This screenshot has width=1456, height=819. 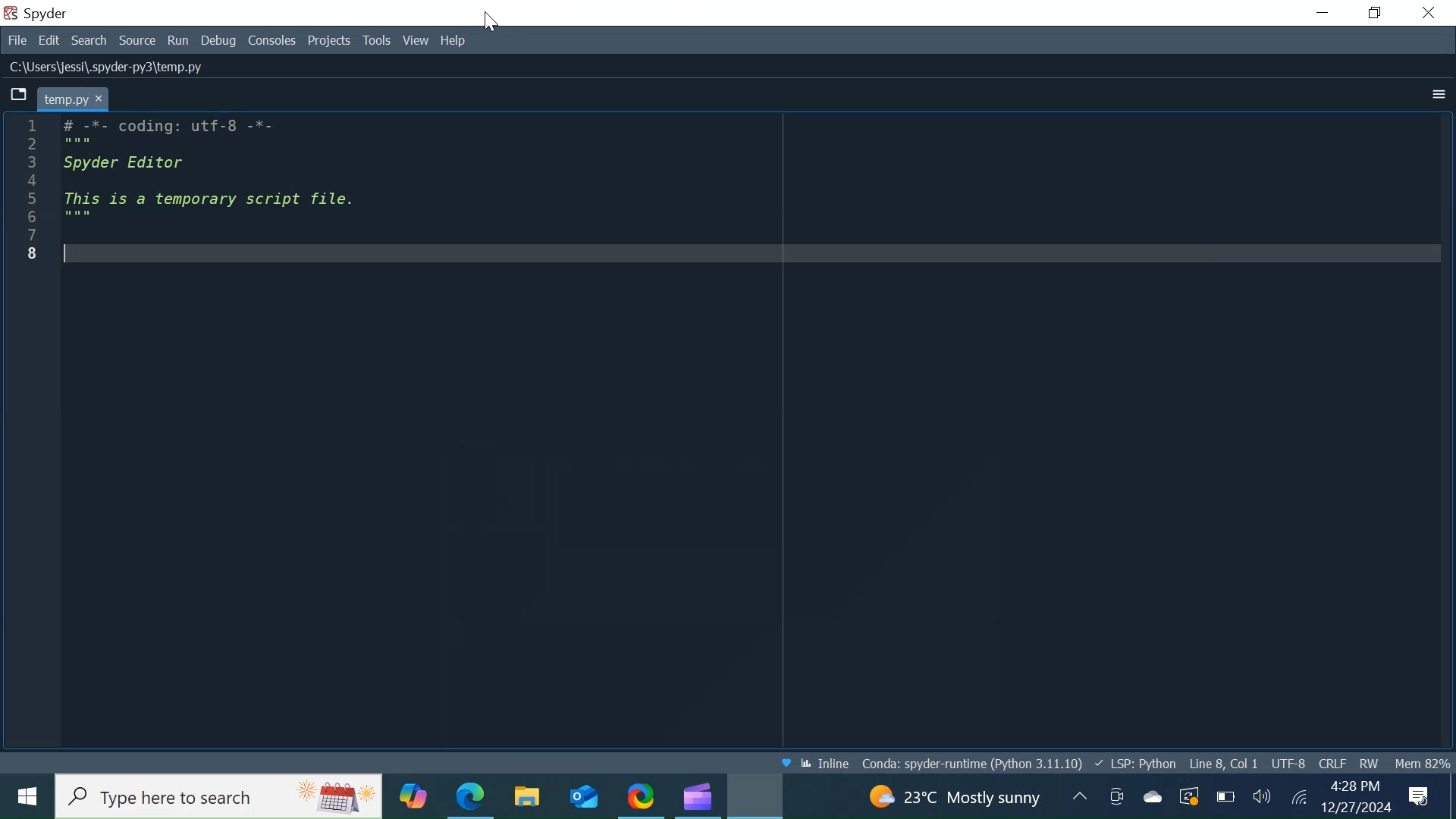 What do you see at coordinates (639, 795) in the screenshot?
I see `ShareX` at bounding box center [639, 795].